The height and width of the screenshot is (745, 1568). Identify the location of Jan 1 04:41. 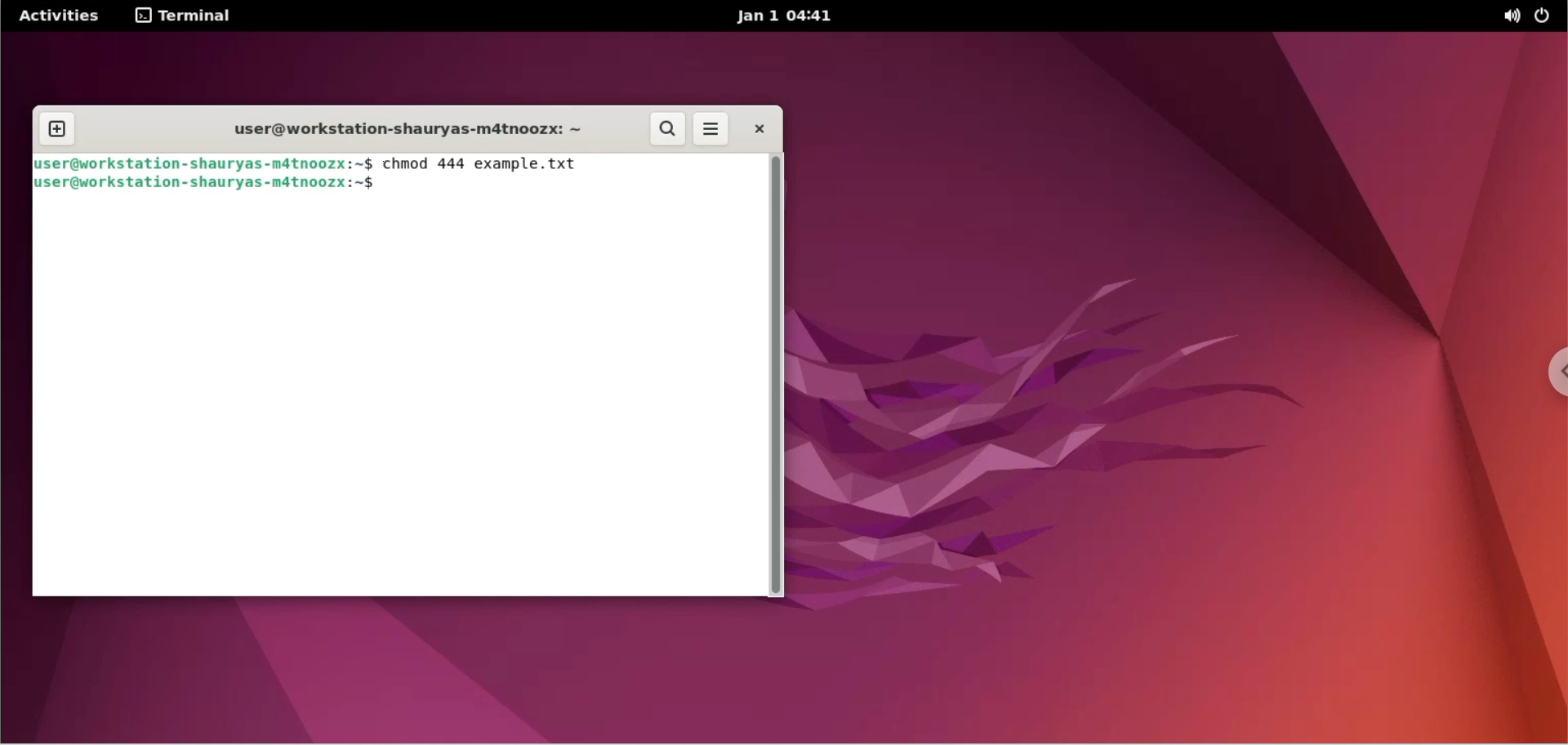
(802, 19).